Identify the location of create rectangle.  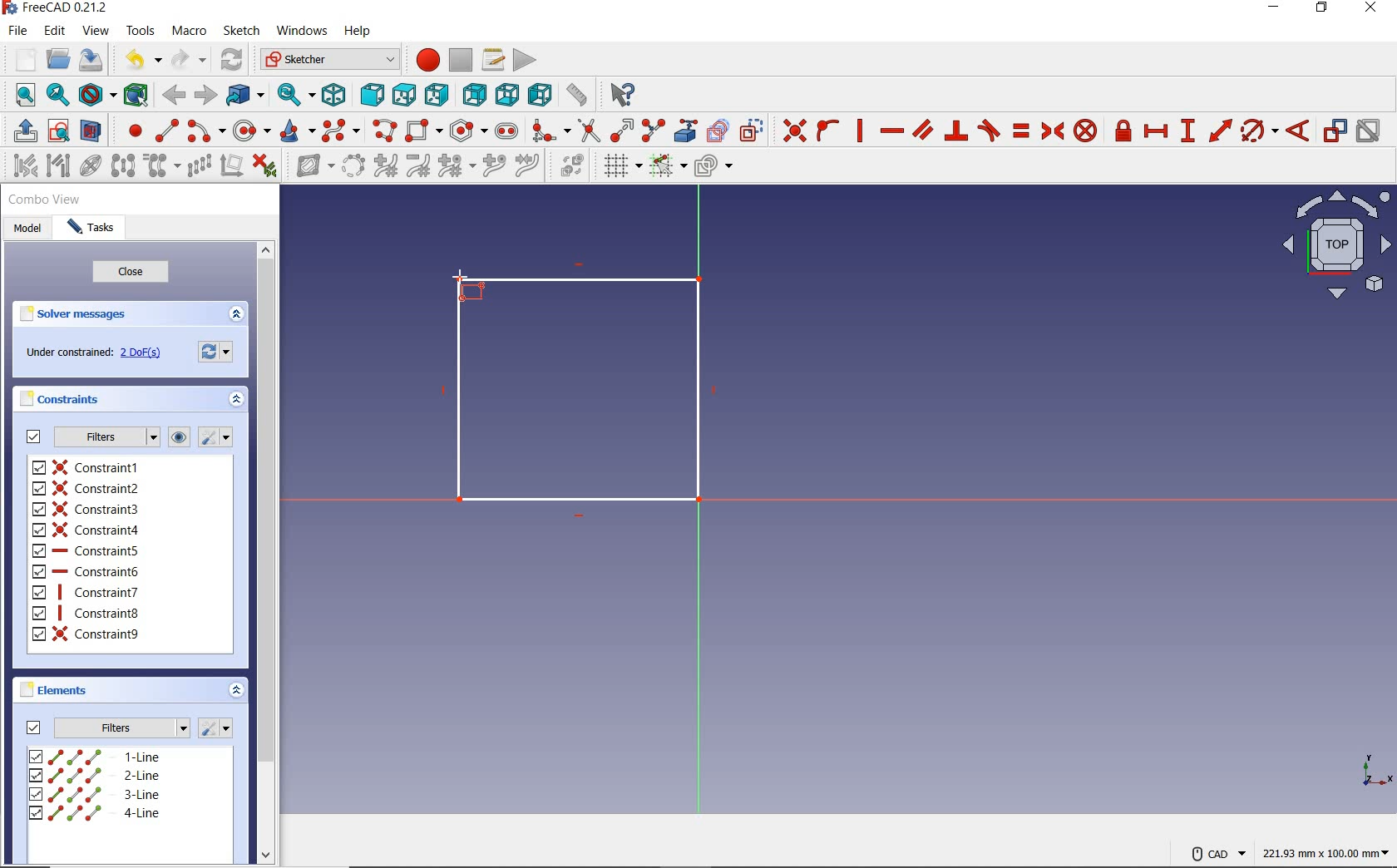
(424, 131).